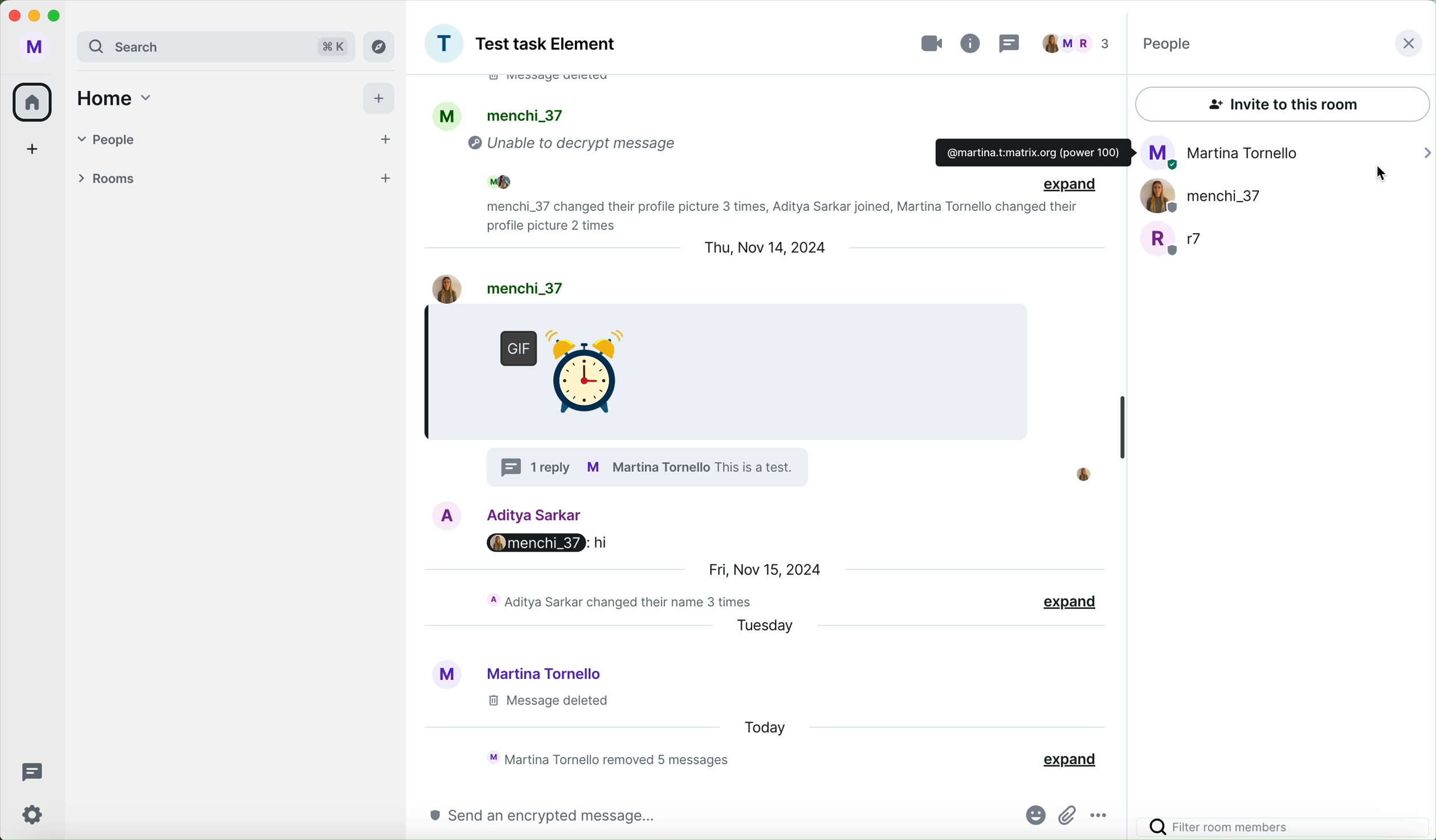  What do you see at coordinates (525, 115) in the screenshot?
I see `people` at bounding box center [525, 115].